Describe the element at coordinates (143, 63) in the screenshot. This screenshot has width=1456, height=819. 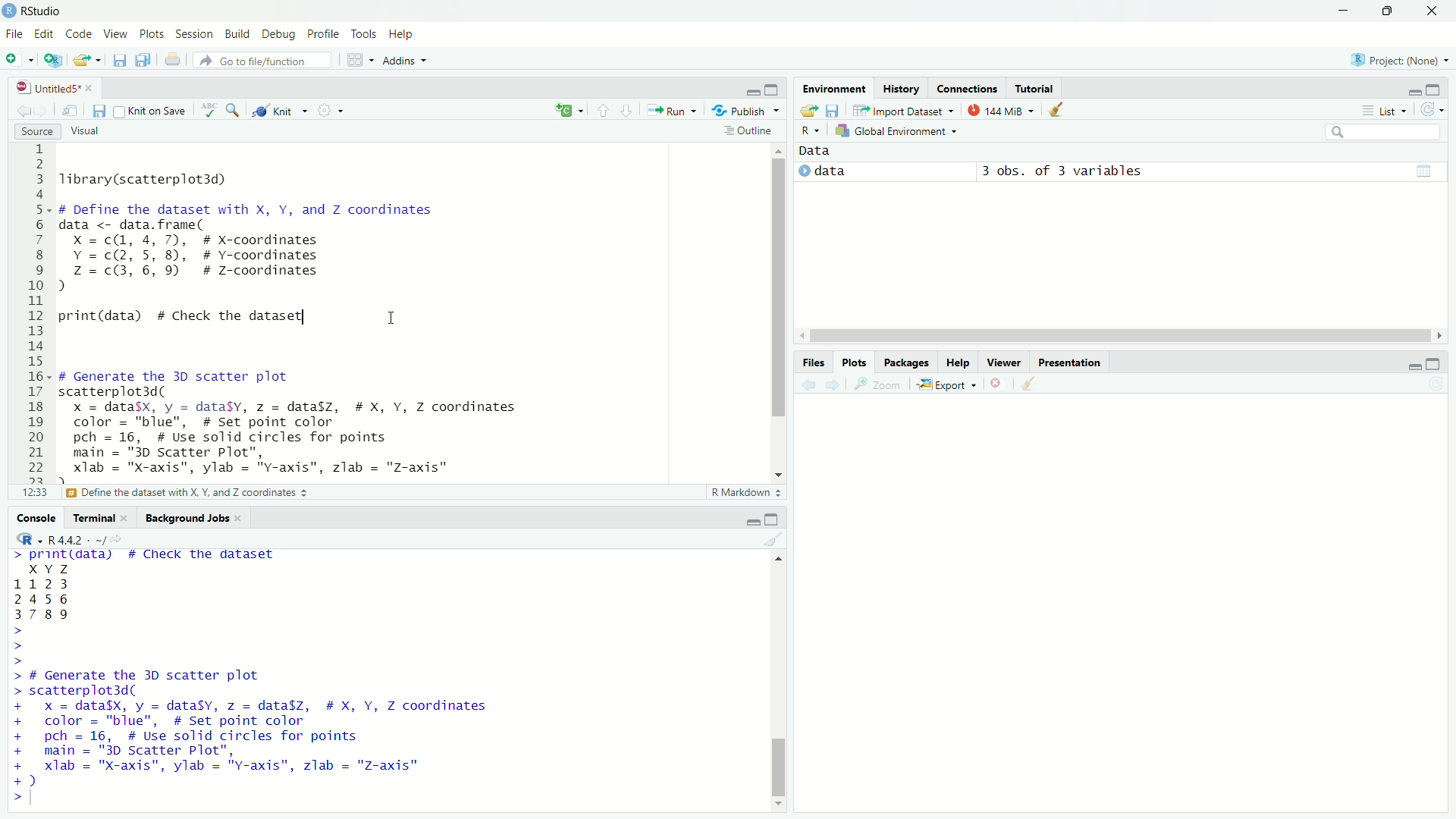
I see `save all open documents` at that location.